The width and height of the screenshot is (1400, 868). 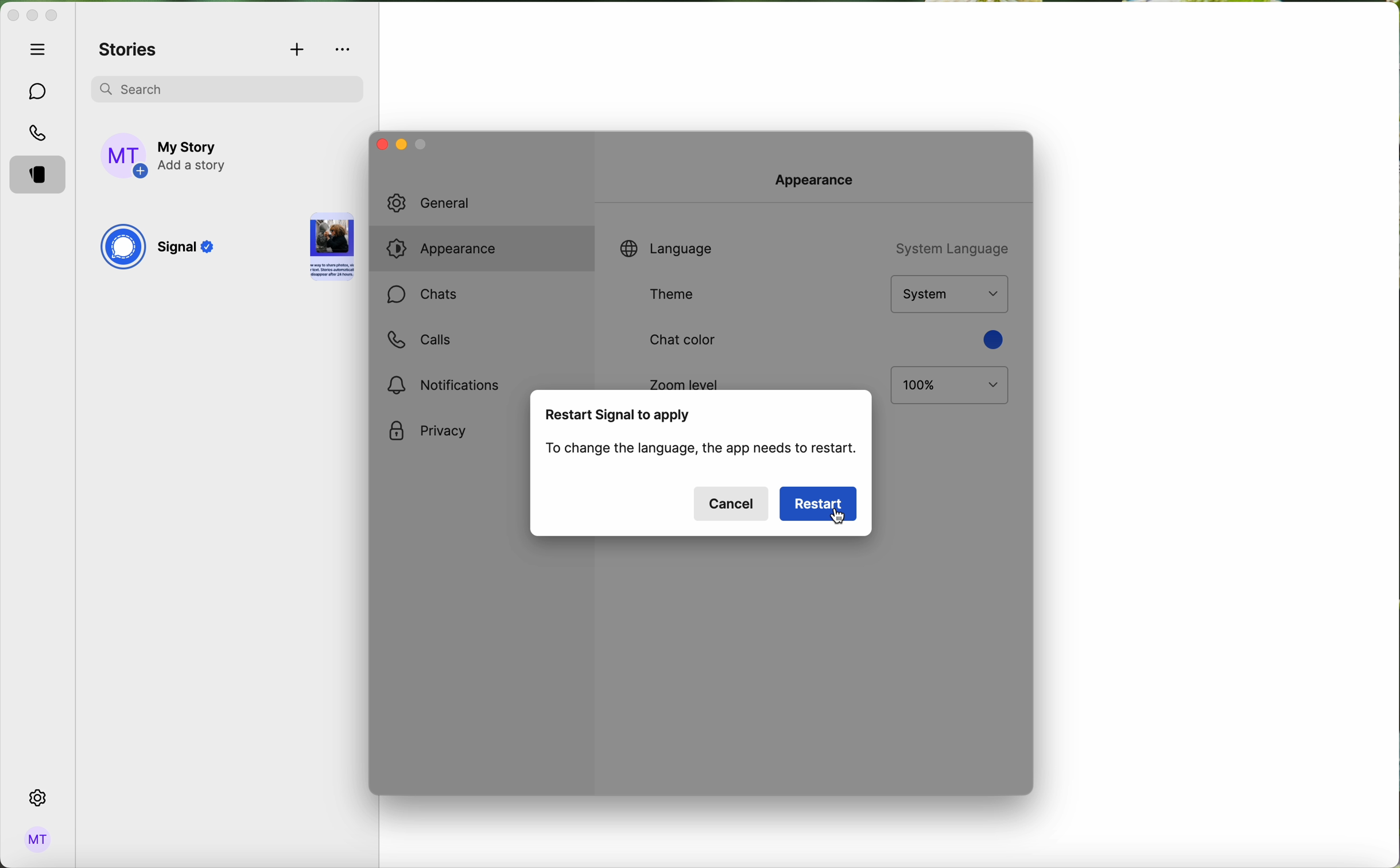 What do you see at coordinates (32, 17) in the screenshot?
I see `minimize` at bounding box center [32, 17].